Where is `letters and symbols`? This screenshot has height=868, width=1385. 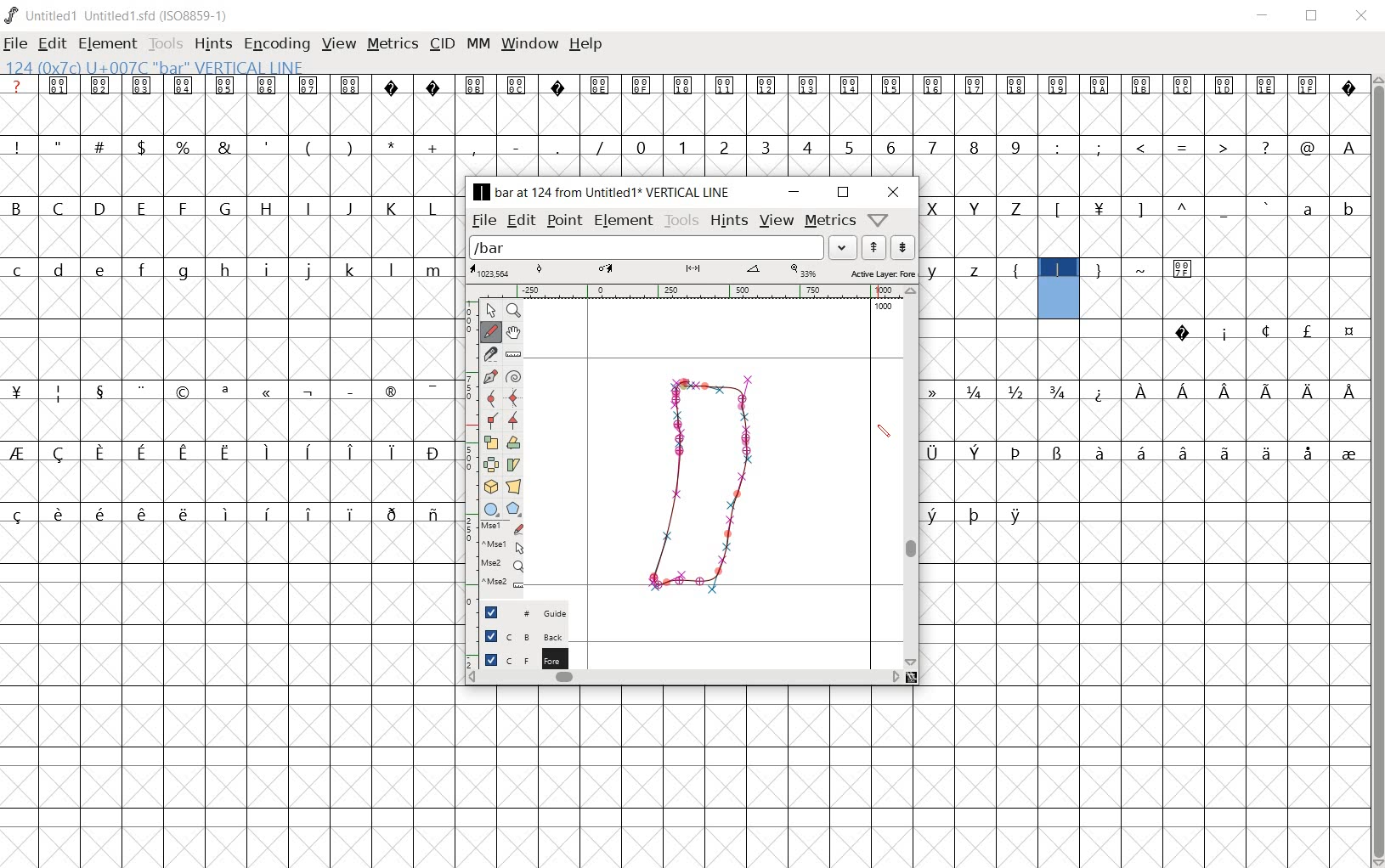 letters and symbols is located at coordinates (227, 270).